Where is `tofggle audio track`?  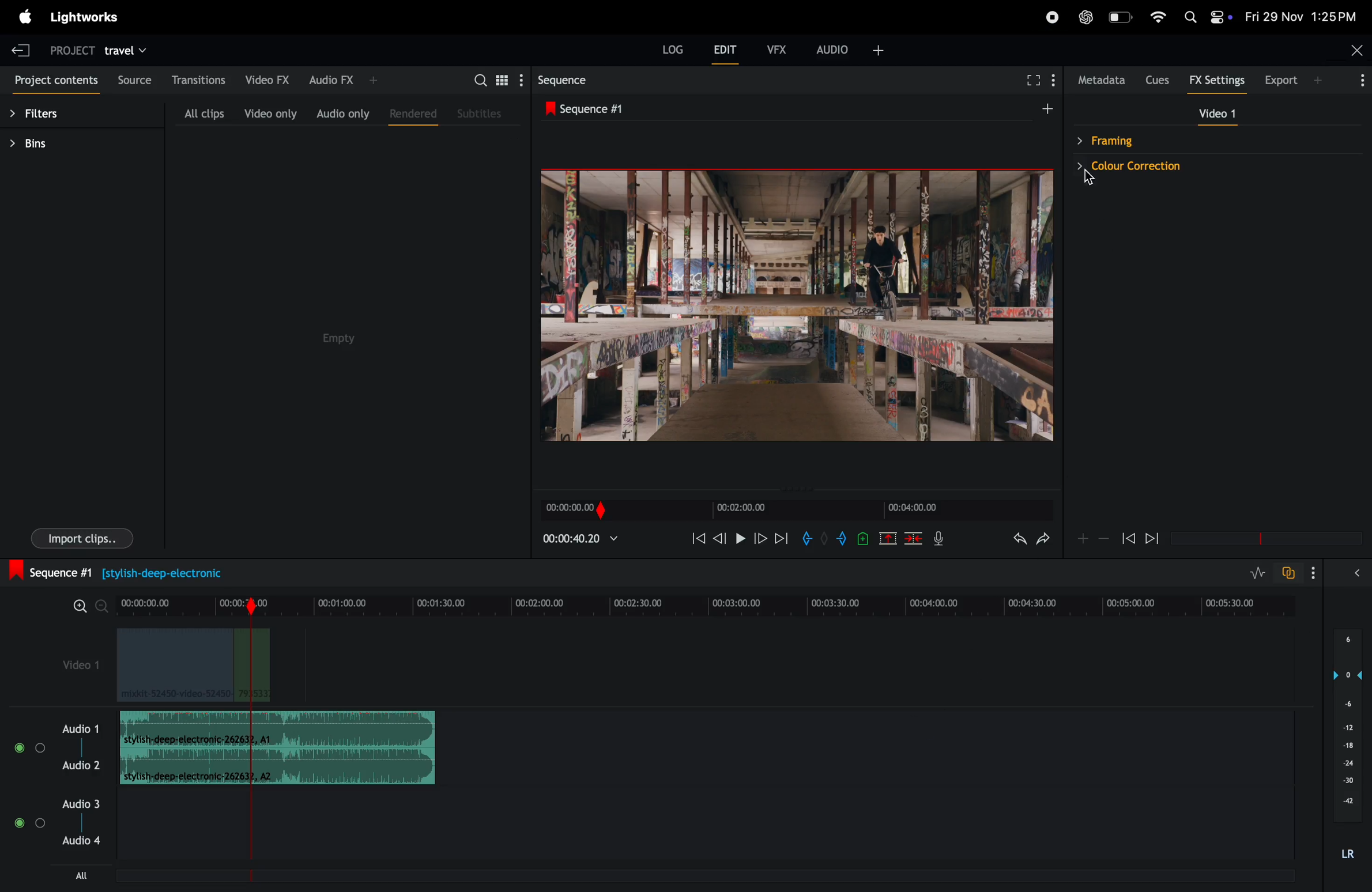 tofggle audio track is located at coordinates (1287, 573).